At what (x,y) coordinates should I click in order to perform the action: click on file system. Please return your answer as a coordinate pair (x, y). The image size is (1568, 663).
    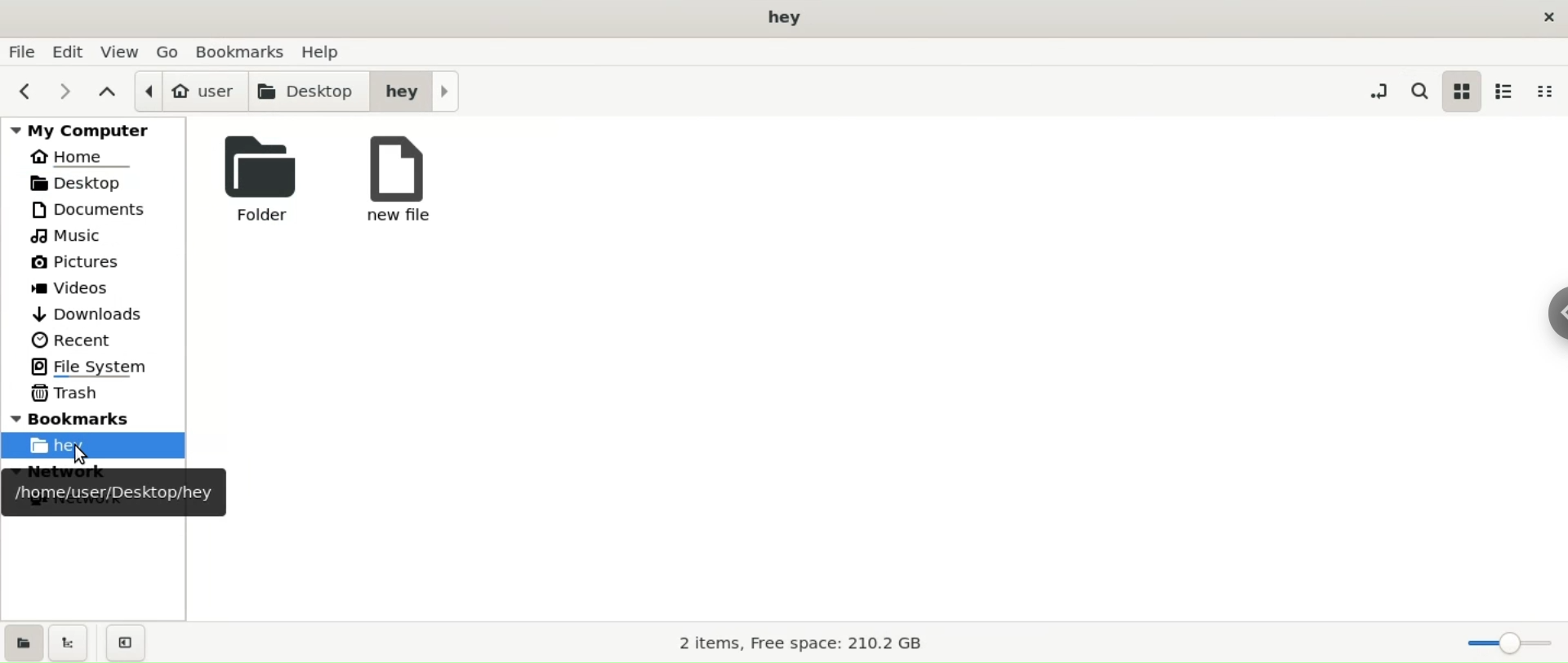
    Looking at the image, I should click on (93, 368).